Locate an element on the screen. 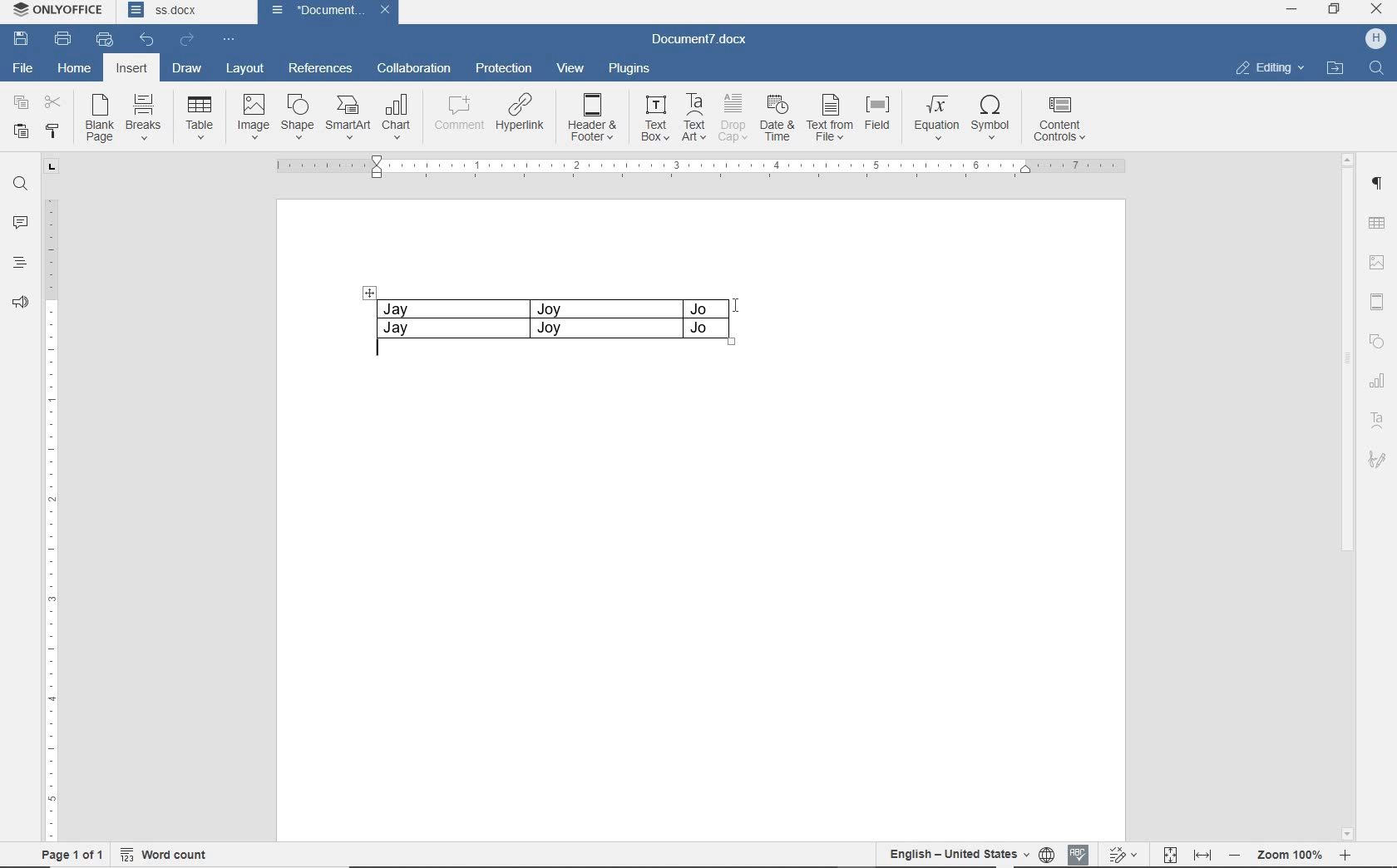 This screenshot has height=868, width=1397. SMARTART is located at coordinates (347, 118).